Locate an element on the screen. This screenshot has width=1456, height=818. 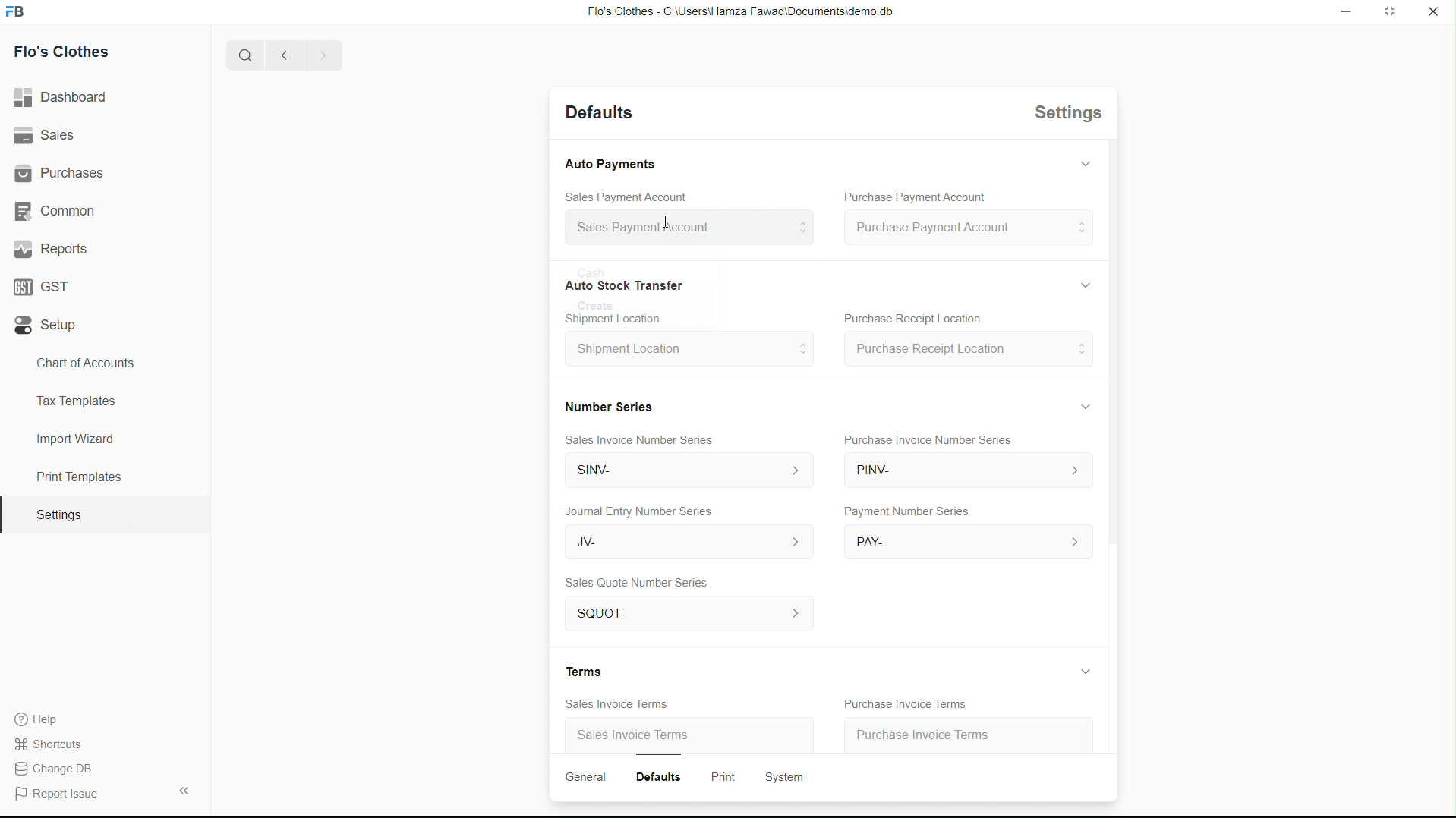
Hide  is located at coordinates (1078, 408).